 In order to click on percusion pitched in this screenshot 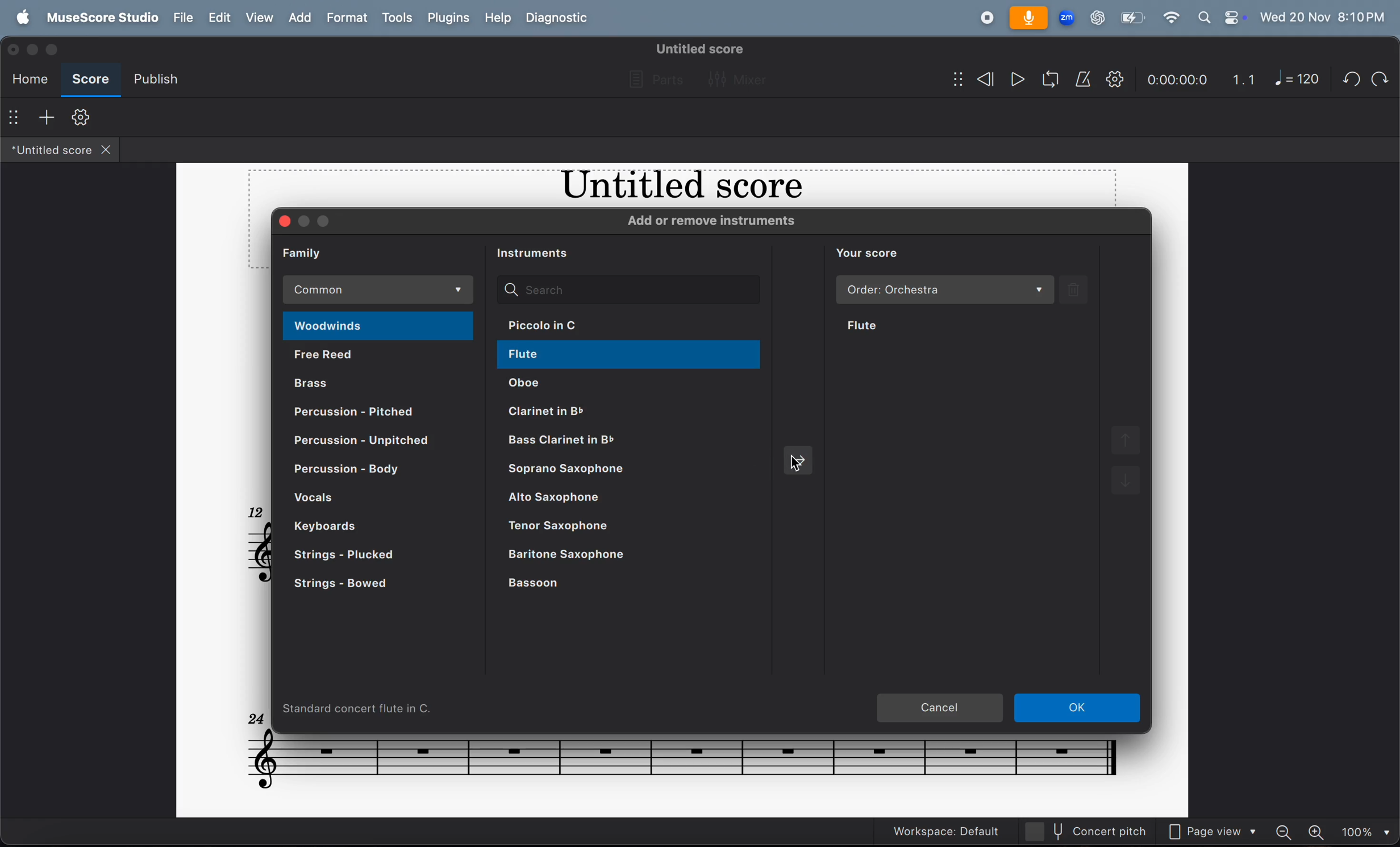, I will do `click(366, 413)`.